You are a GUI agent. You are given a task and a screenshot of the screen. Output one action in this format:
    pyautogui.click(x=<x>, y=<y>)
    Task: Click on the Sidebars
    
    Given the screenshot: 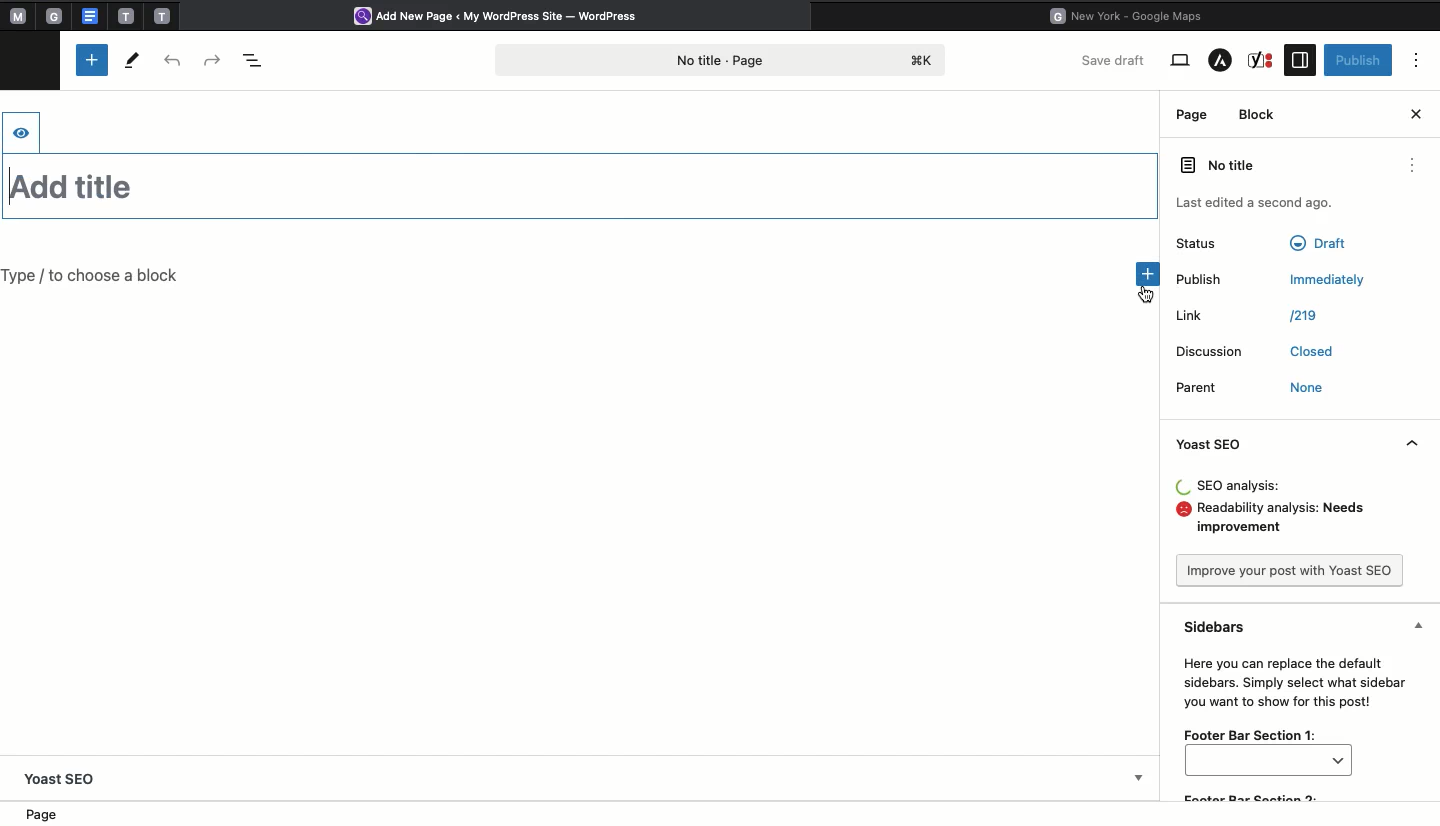 What is the action you would take?
    pyautogui.click(x=1283, y=664)
    